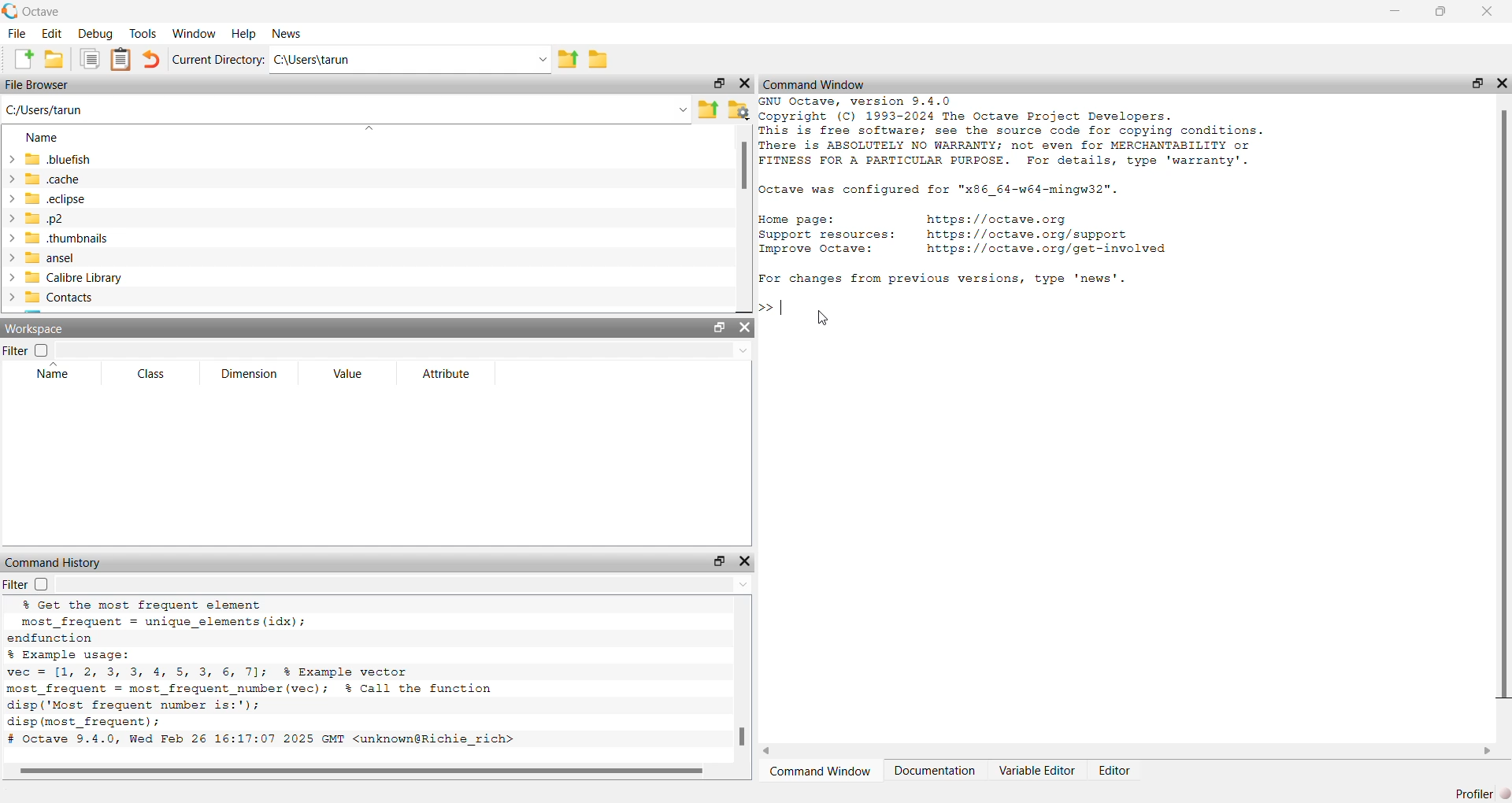  I want to click on vertical scroll bar, so click(744, 679).